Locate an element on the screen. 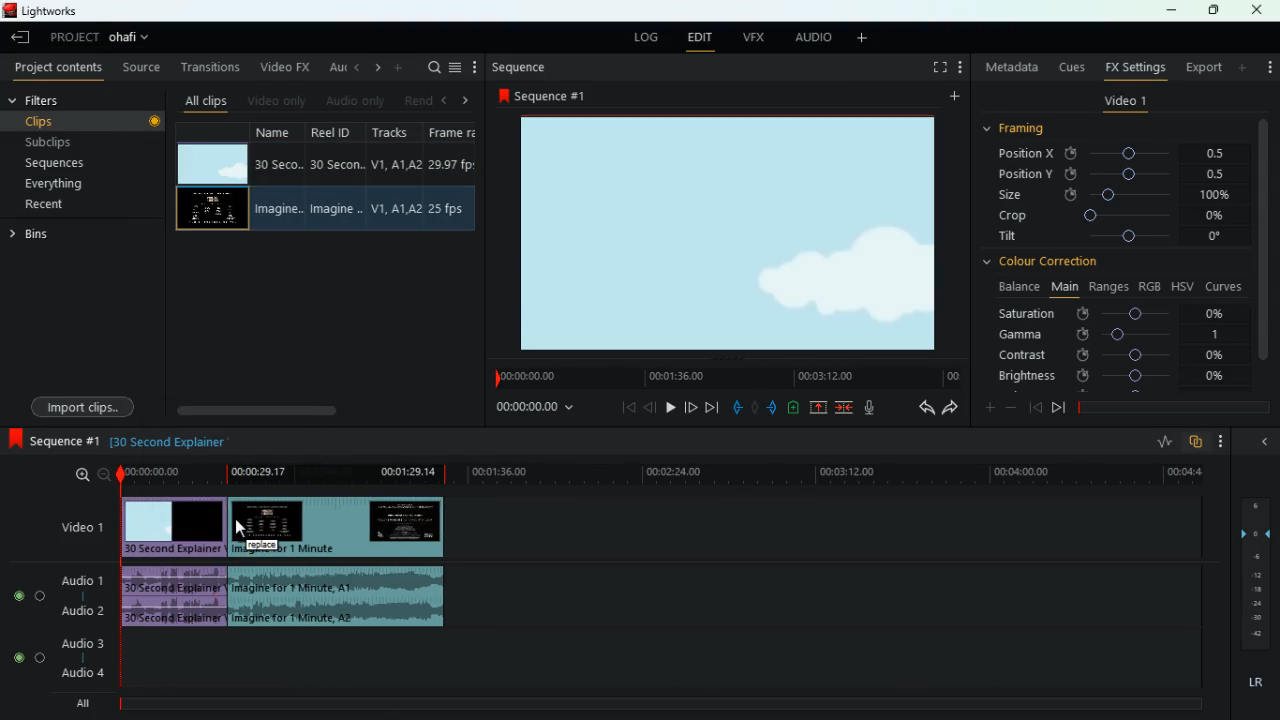 The image size is (1280, 720). export is located at coordinates (1202, 68).